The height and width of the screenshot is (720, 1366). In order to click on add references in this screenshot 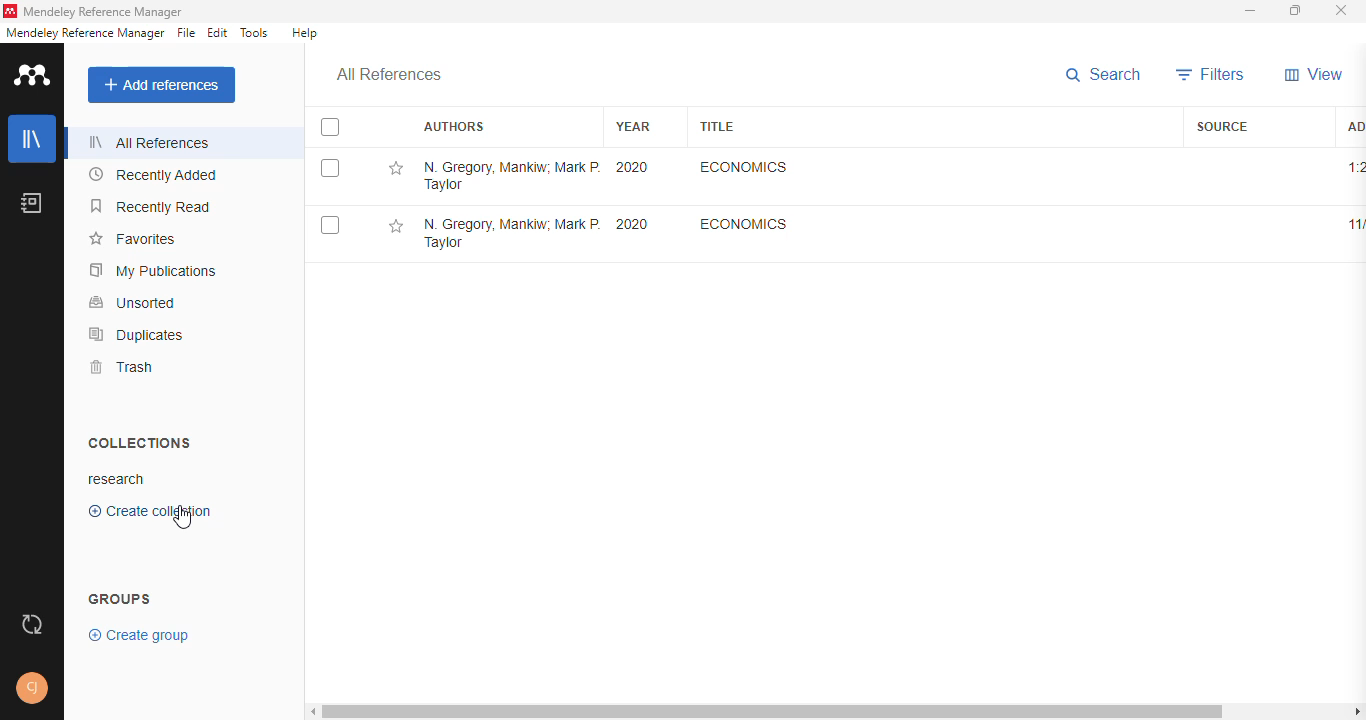, I will do `click(162, 85)`.